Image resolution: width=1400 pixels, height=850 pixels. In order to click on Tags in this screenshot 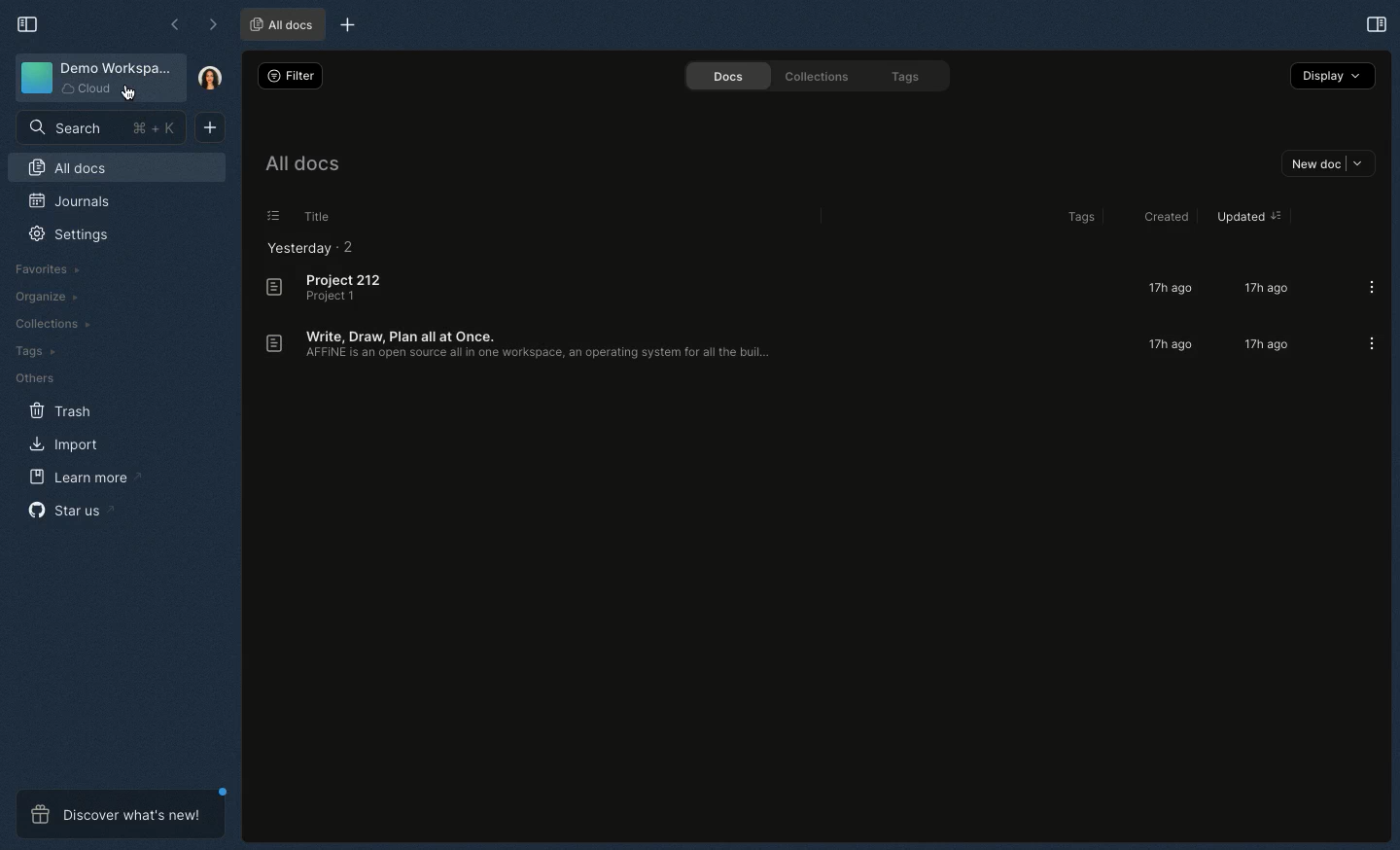, I will do `click(1070, 218)`.